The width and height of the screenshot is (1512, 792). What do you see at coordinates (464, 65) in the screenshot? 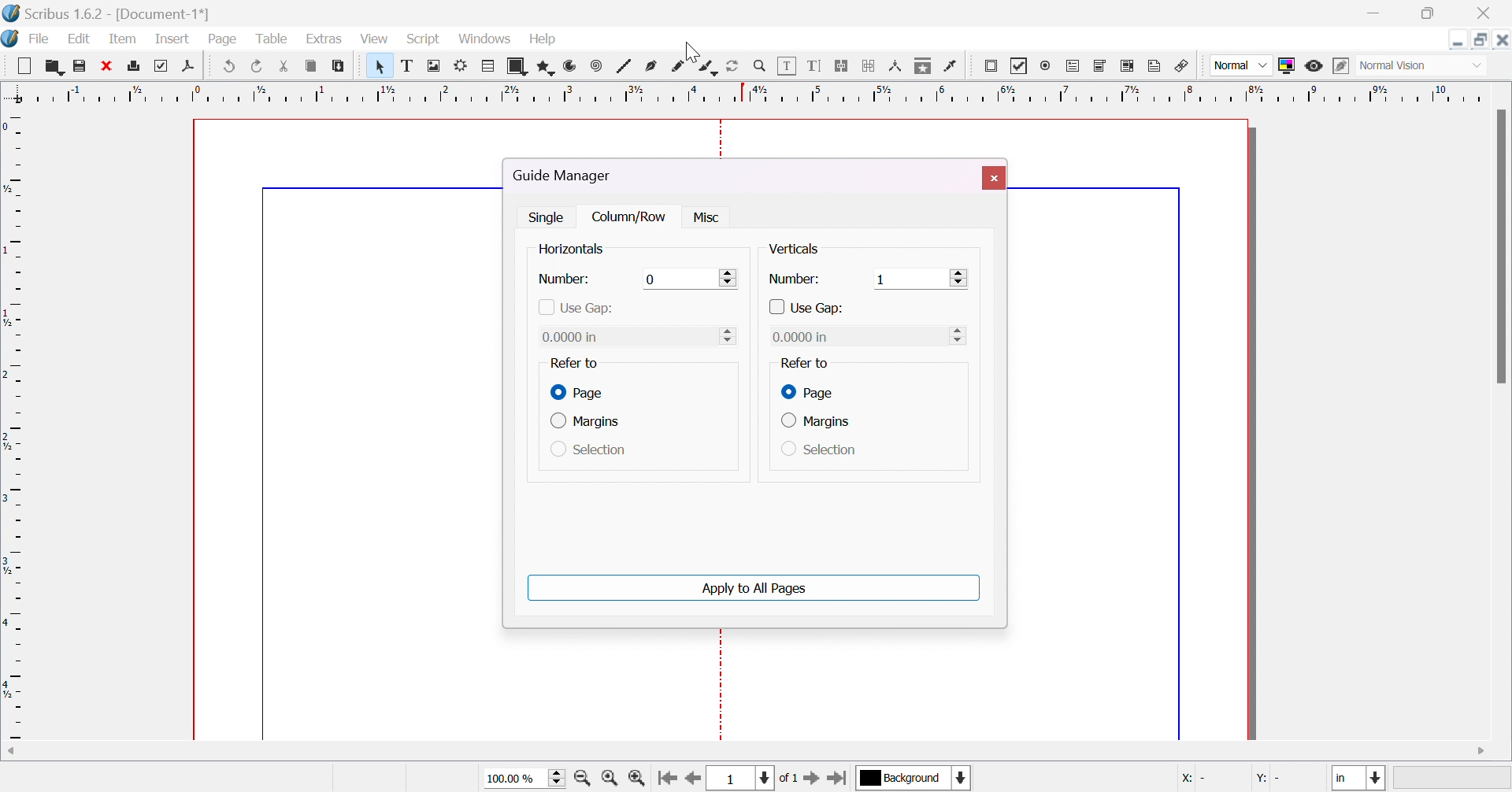
I see `render frame` at bounding box center [464, 65].